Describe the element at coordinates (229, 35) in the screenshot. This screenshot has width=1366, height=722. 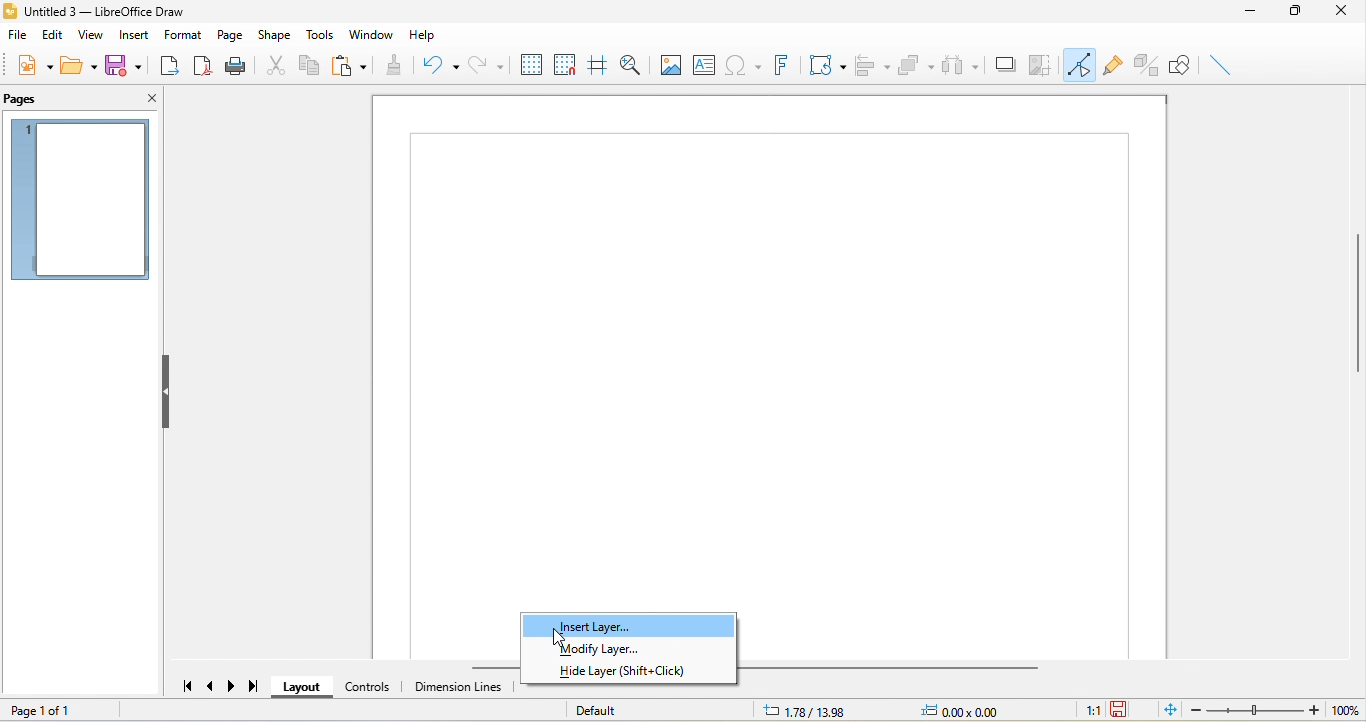
I see `page` at that location.